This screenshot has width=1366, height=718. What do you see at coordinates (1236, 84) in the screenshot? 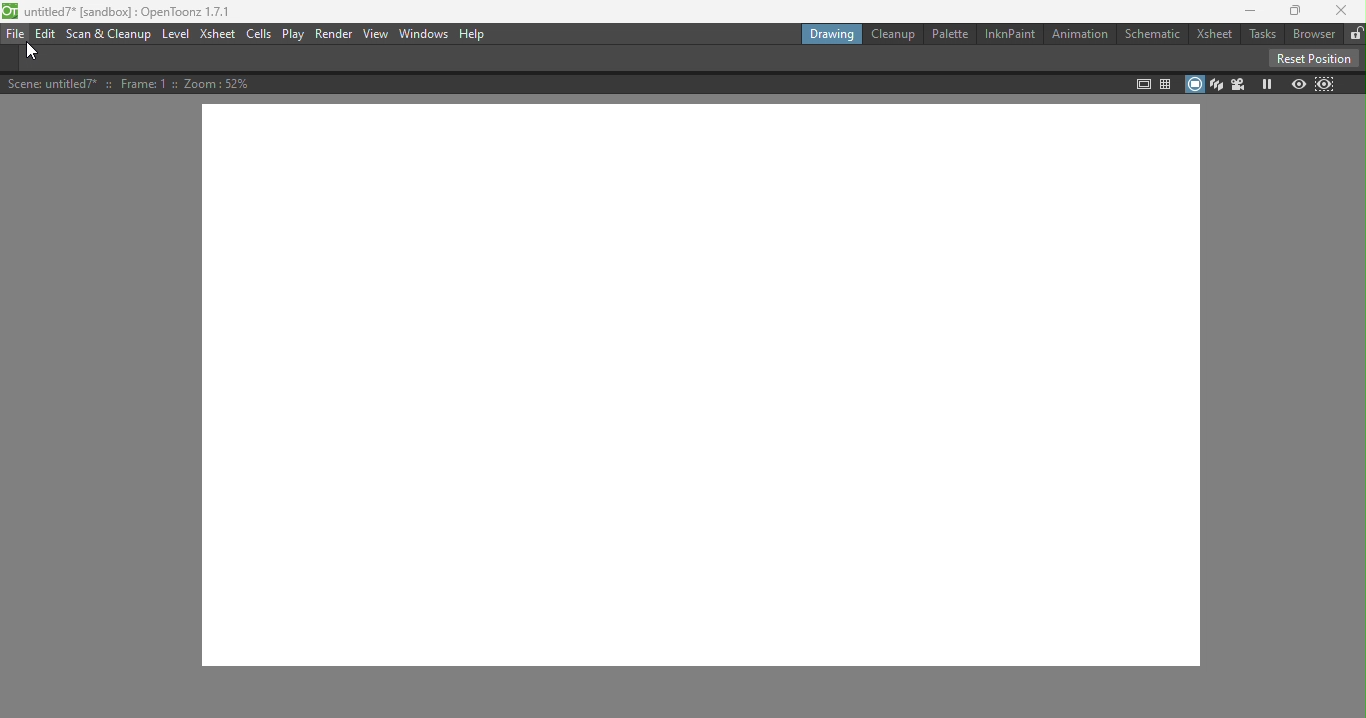
I see `Camera view` at bounding box center [1236, 84].